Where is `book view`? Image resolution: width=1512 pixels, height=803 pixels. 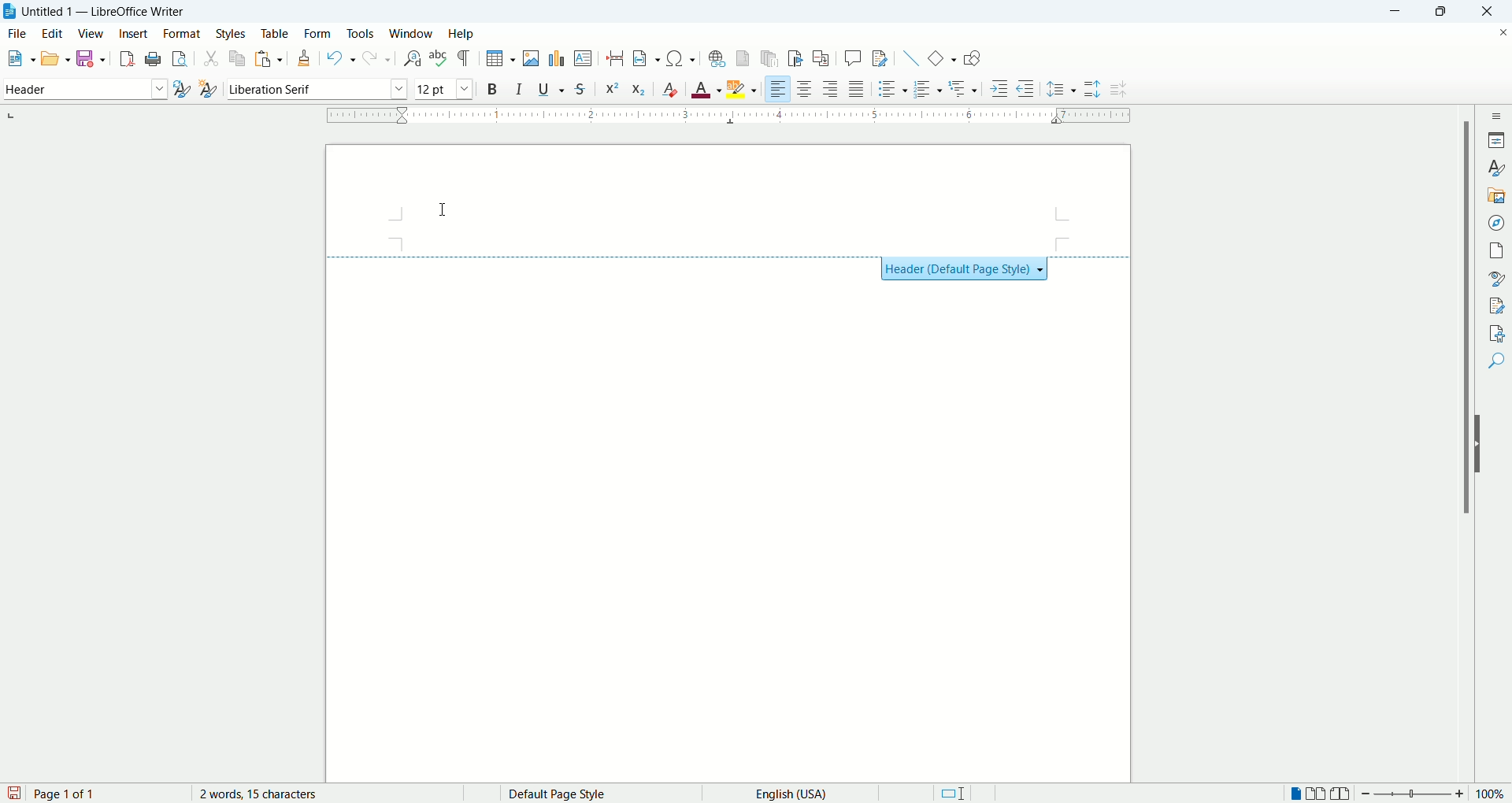 book view is located at coordinates (1340, 793).